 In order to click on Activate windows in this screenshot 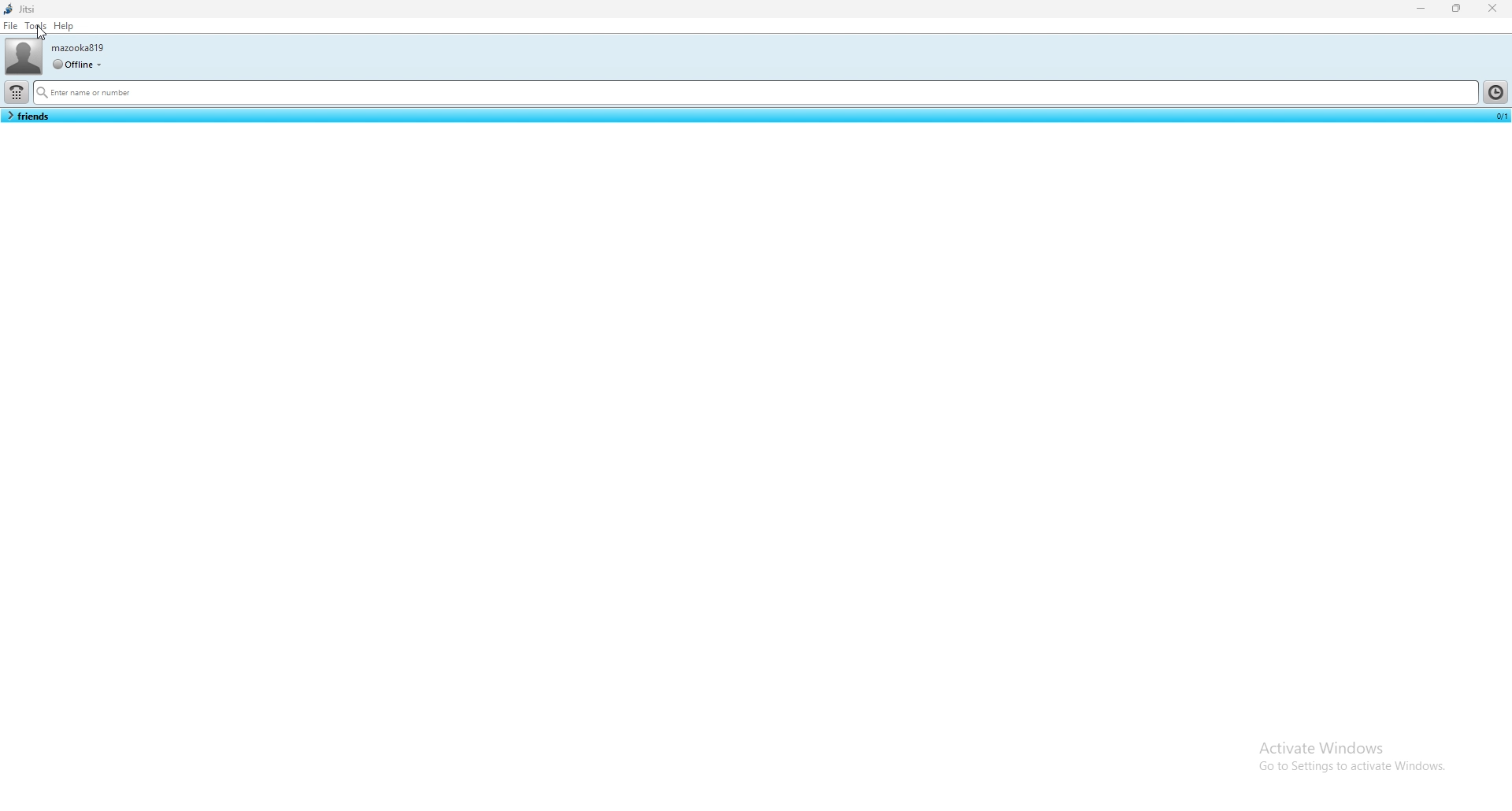, I will do `click(1351, 745)`.